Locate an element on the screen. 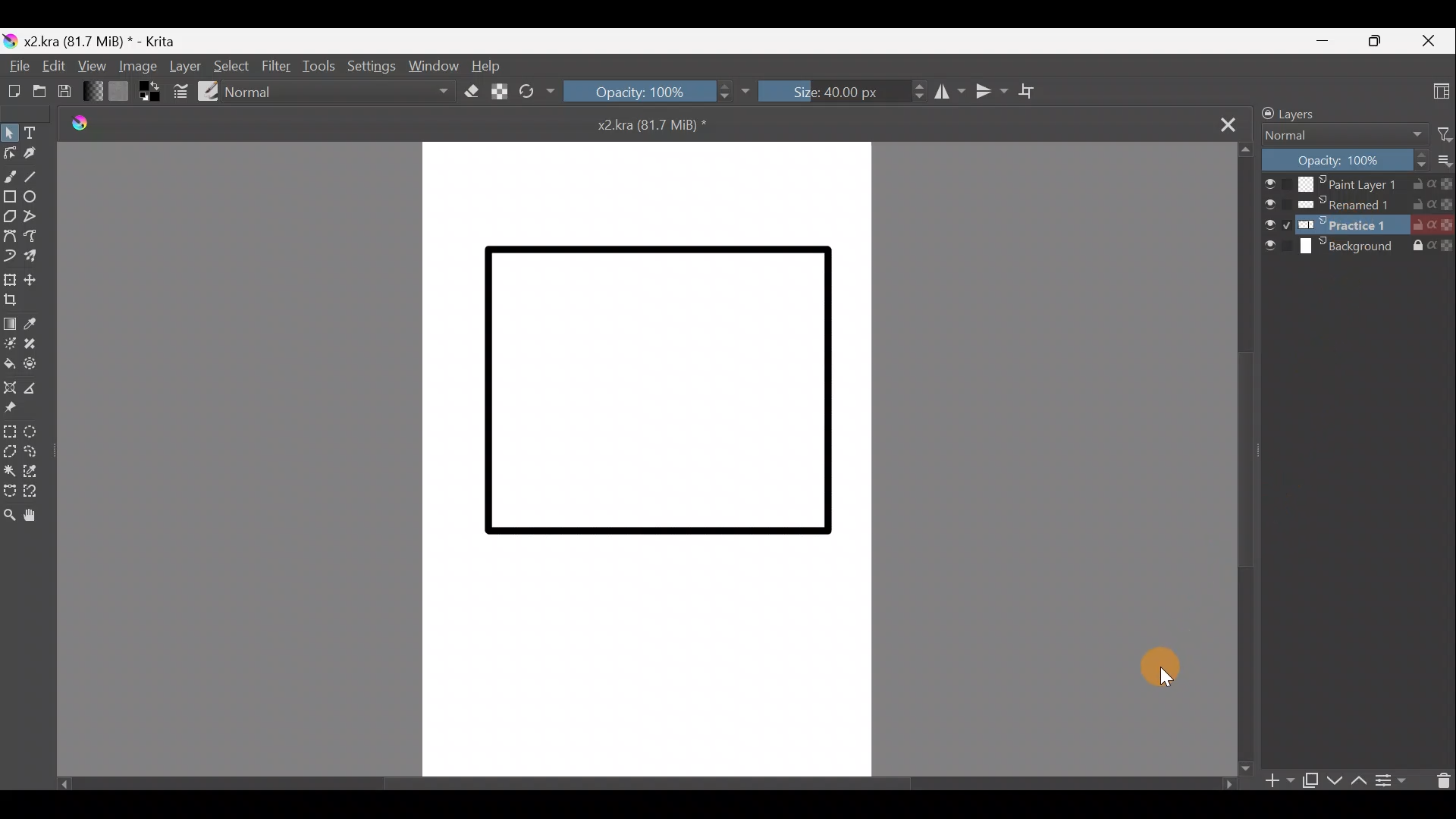 The image size is (1456, 819). Maximize is located at coordinates (1374, 40).